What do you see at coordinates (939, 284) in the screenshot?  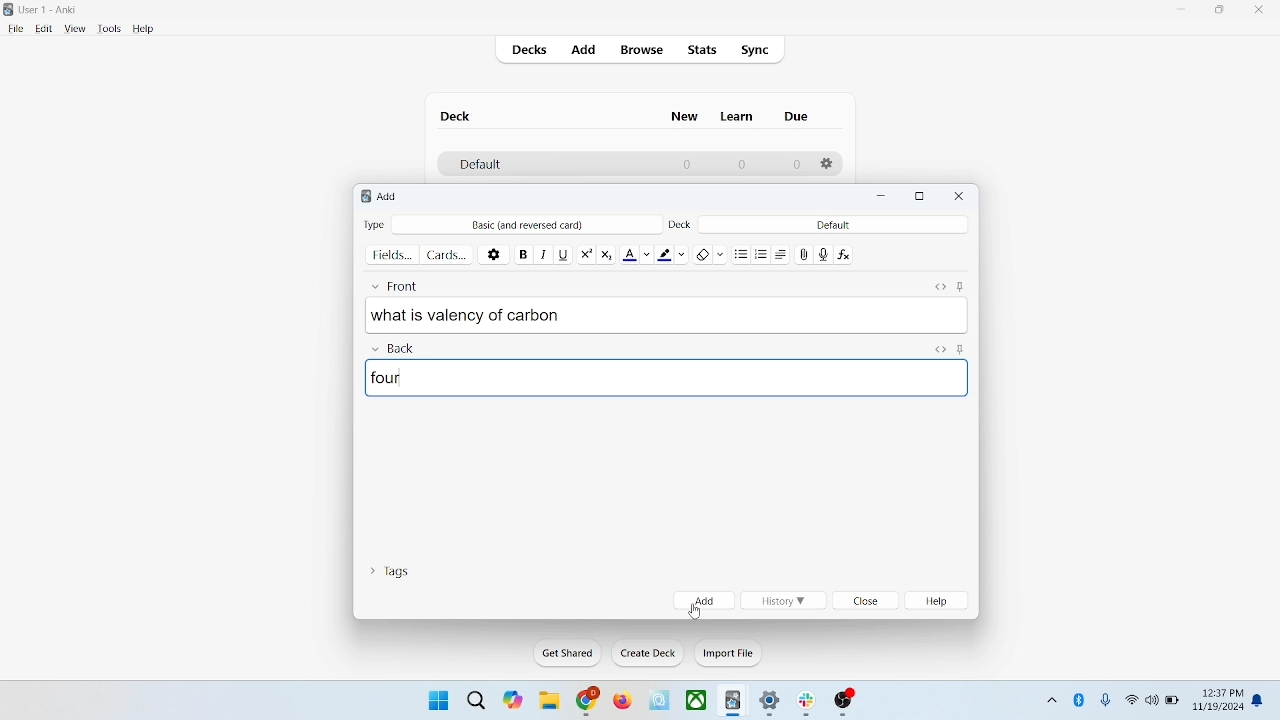 I see `HTML editor` at bounding box center [939, 284].